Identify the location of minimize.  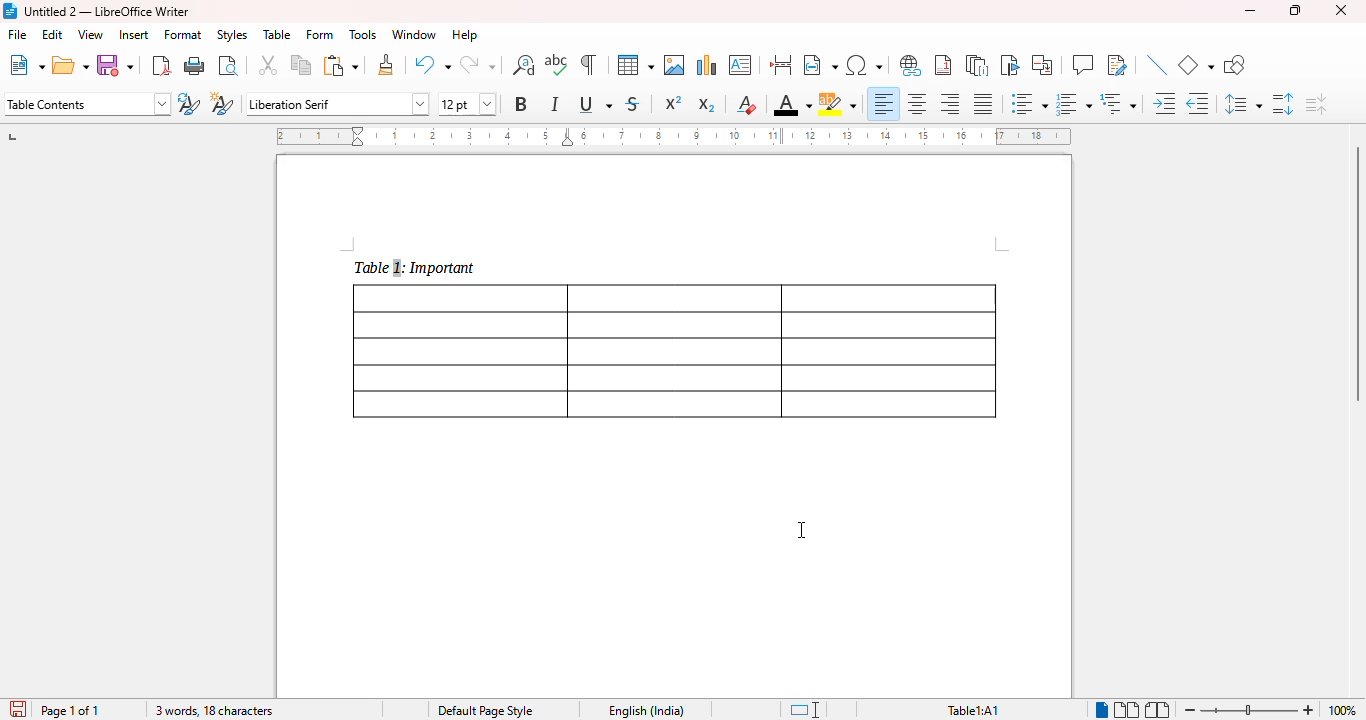
(1250, 10).